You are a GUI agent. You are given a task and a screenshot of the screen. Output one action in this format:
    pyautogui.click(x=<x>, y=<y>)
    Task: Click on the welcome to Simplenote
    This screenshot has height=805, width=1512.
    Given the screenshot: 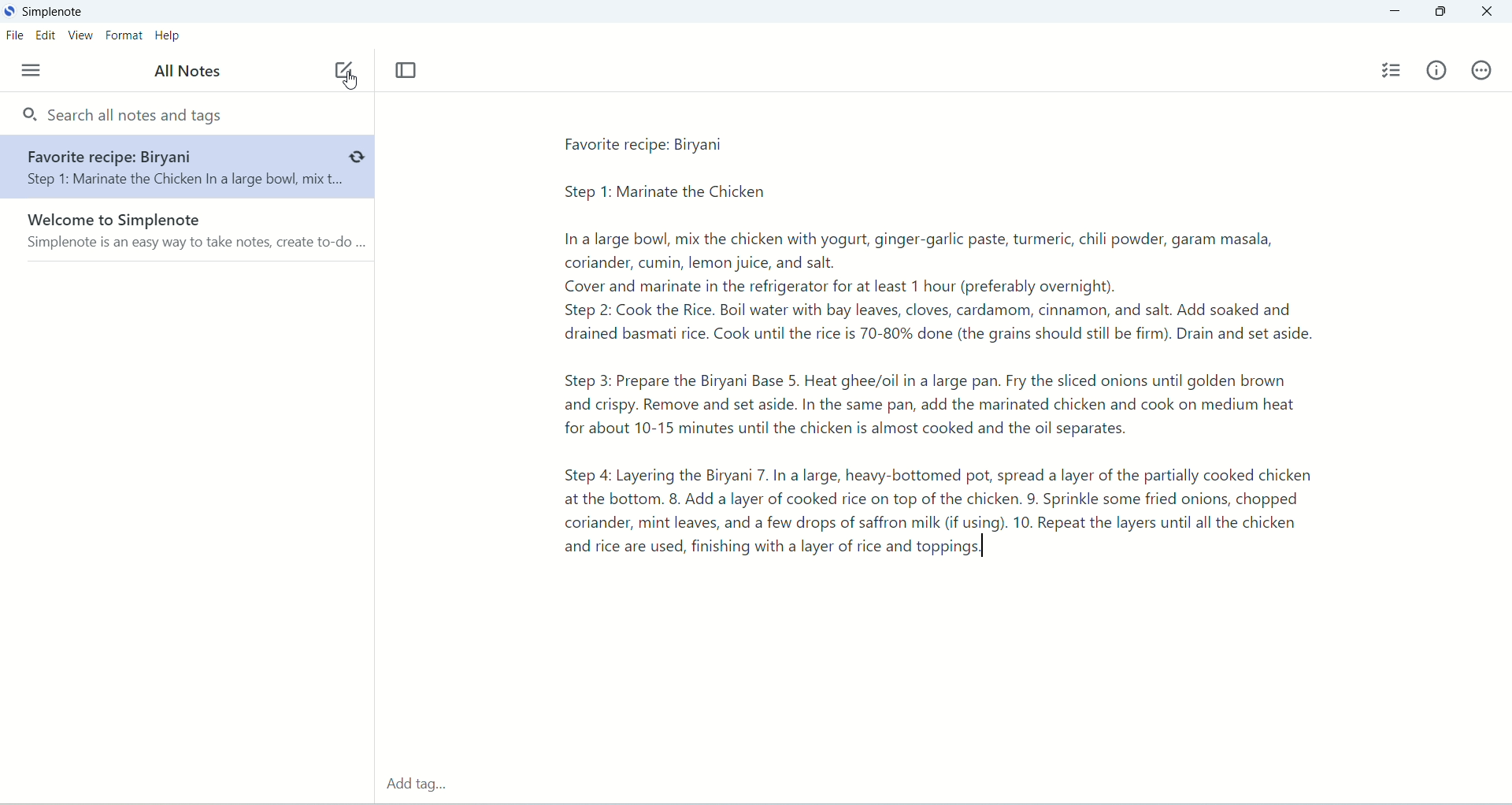 What is the action you would take?
    pyautogui.click(x=190, y=242)
    